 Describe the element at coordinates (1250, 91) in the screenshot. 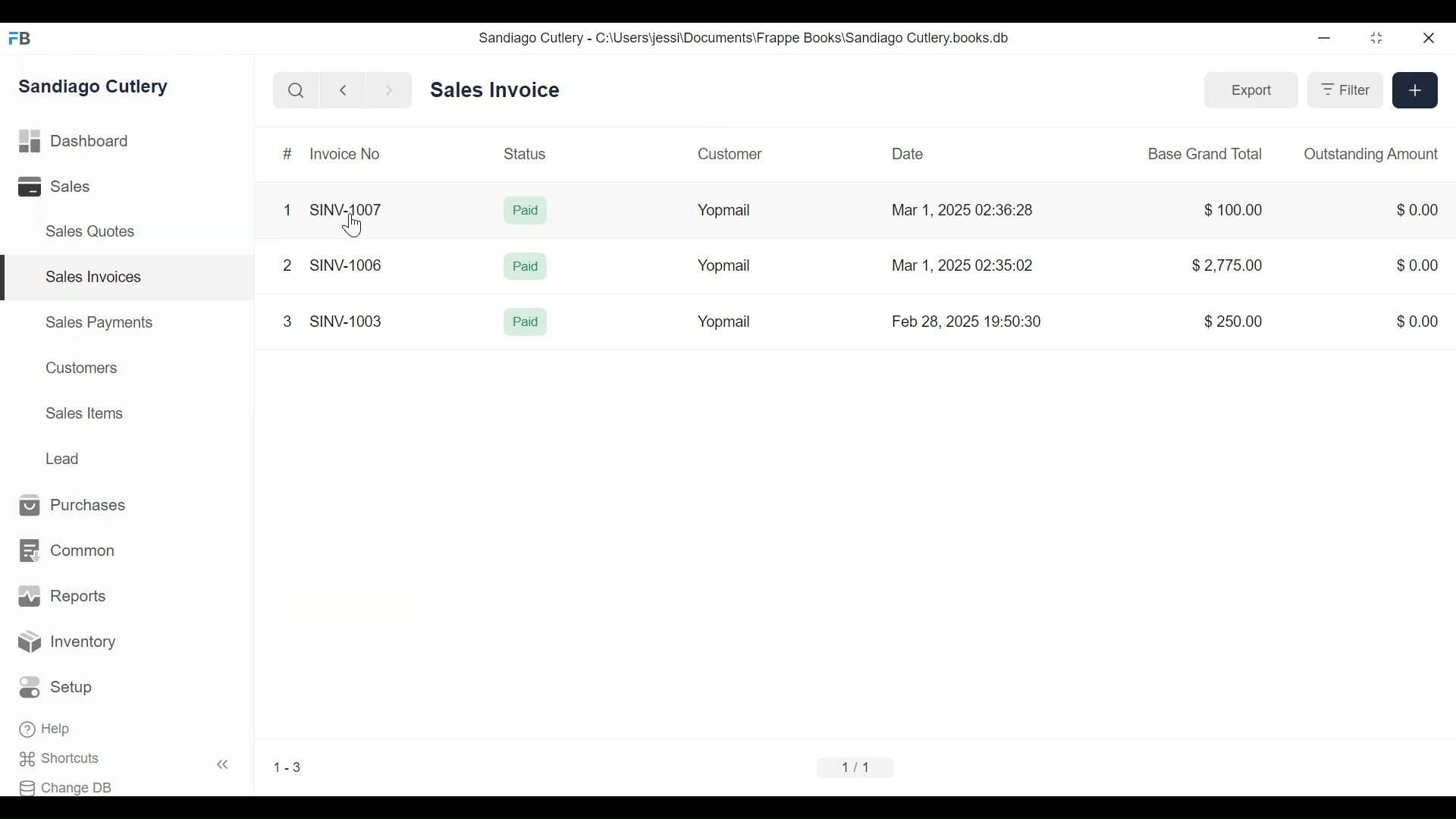

I see `Export` at that location.